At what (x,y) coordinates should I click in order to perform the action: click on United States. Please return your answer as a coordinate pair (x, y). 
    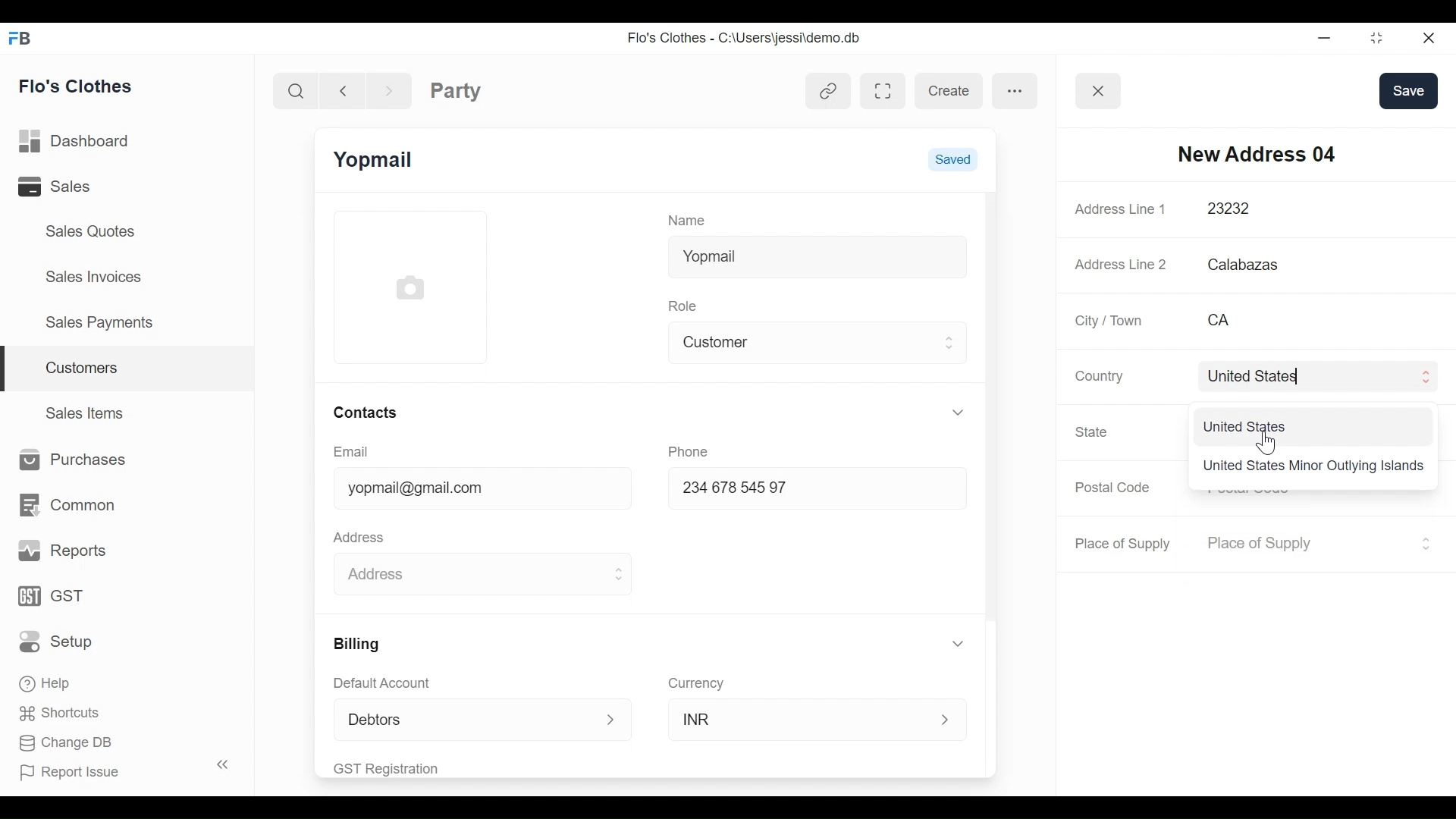
    Looking at the image, I should click on (1247, 426).